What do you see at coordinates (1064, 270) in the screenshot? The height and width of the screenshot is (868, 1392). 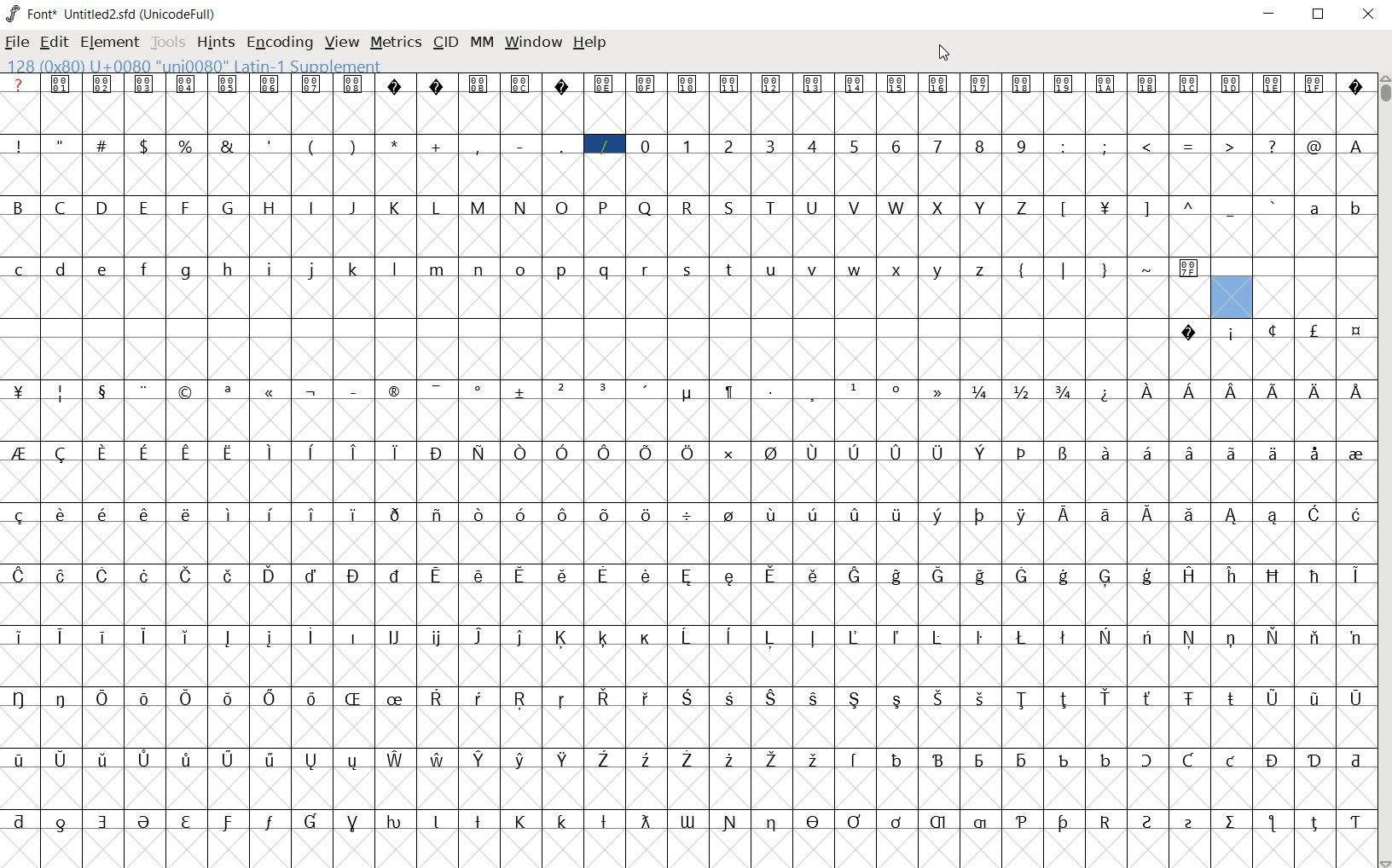 I see `glyph` at bounding box center [1064, 270].